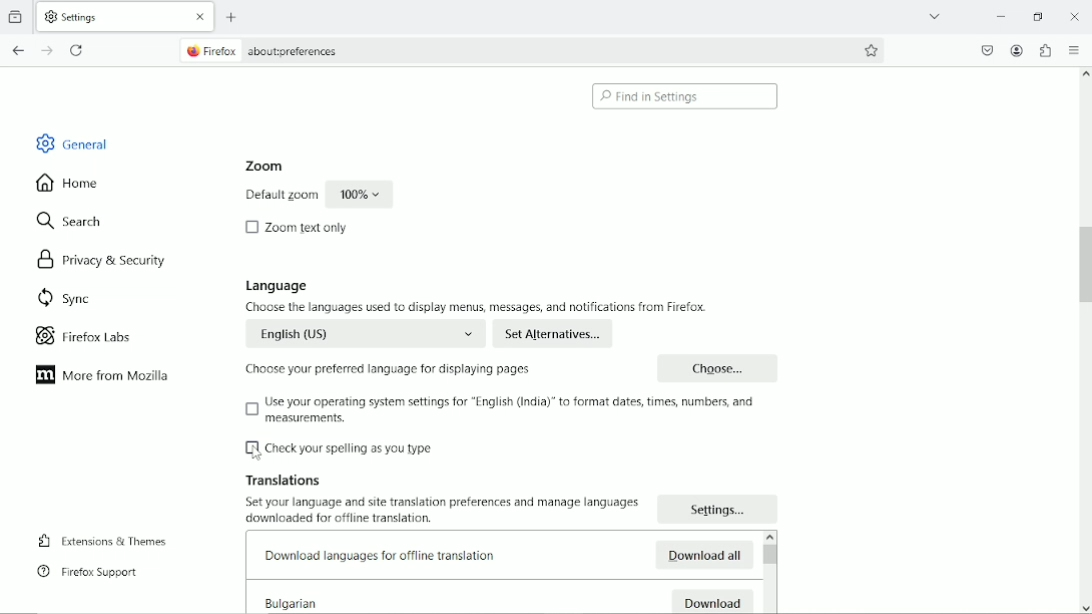  What do you see at coordinates (361, 195) in the screenshot?
I see `100%` at bounding box center [361, 195].